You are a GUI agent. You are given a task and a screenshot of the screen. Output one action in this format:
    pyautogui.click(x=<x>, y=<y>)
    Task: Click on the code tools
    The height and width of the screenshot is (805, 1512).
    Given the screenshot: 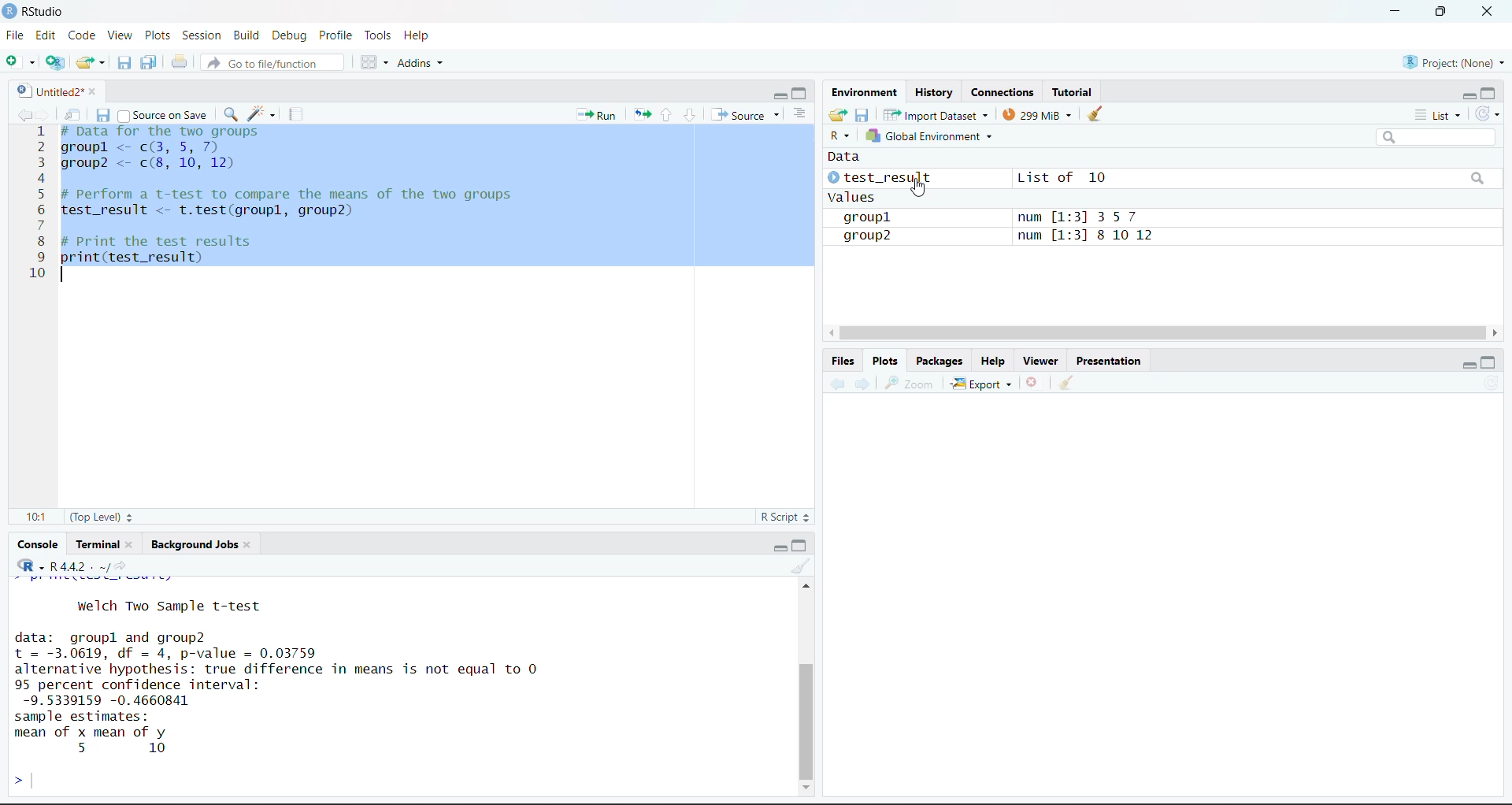 What is the action you would take?
    pyautogui.click(x=261, y=113)
    